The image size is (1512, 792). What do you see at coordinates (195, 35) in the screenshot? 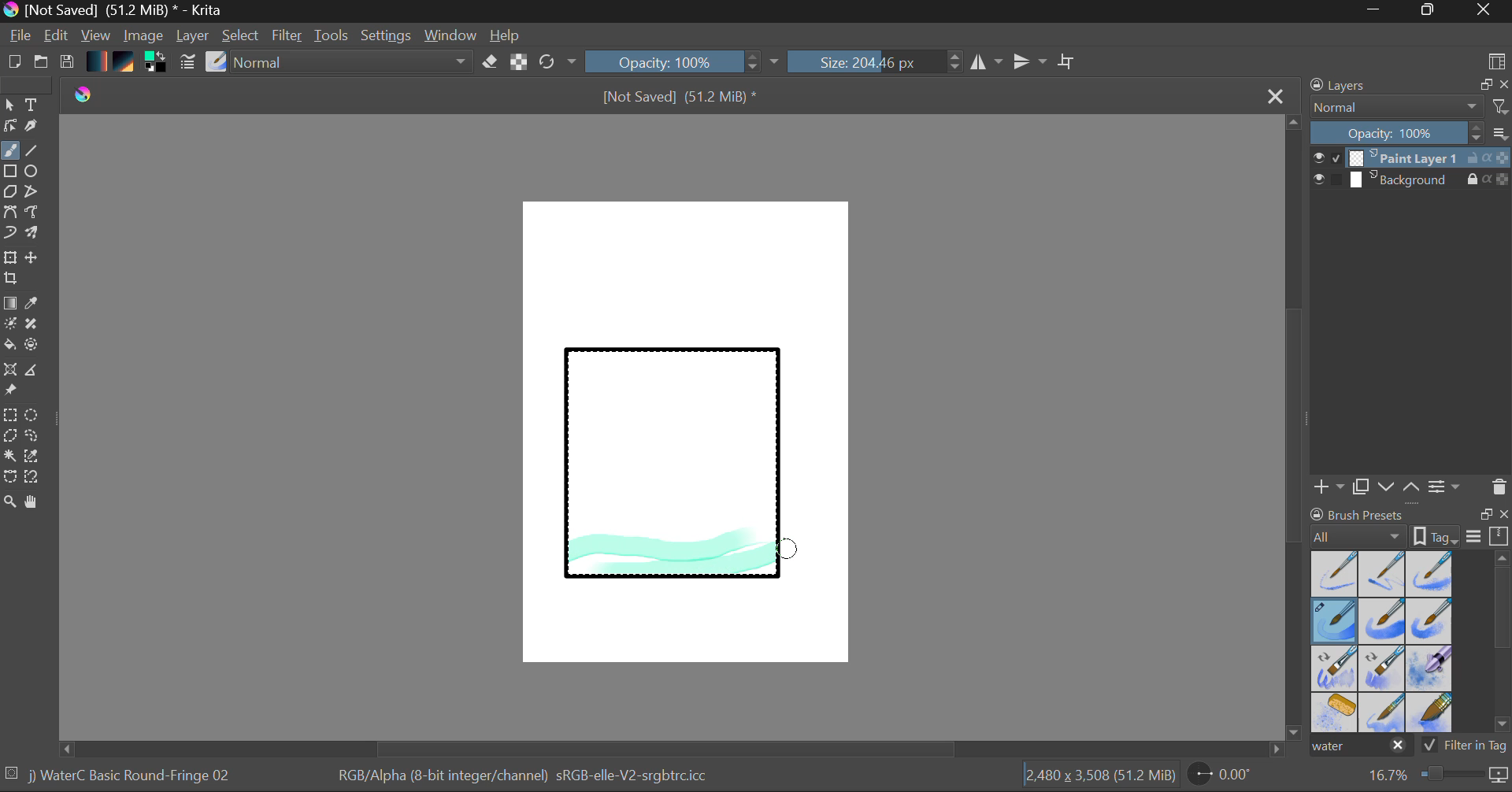
I see `Layer` at bounding box center [195, 35].